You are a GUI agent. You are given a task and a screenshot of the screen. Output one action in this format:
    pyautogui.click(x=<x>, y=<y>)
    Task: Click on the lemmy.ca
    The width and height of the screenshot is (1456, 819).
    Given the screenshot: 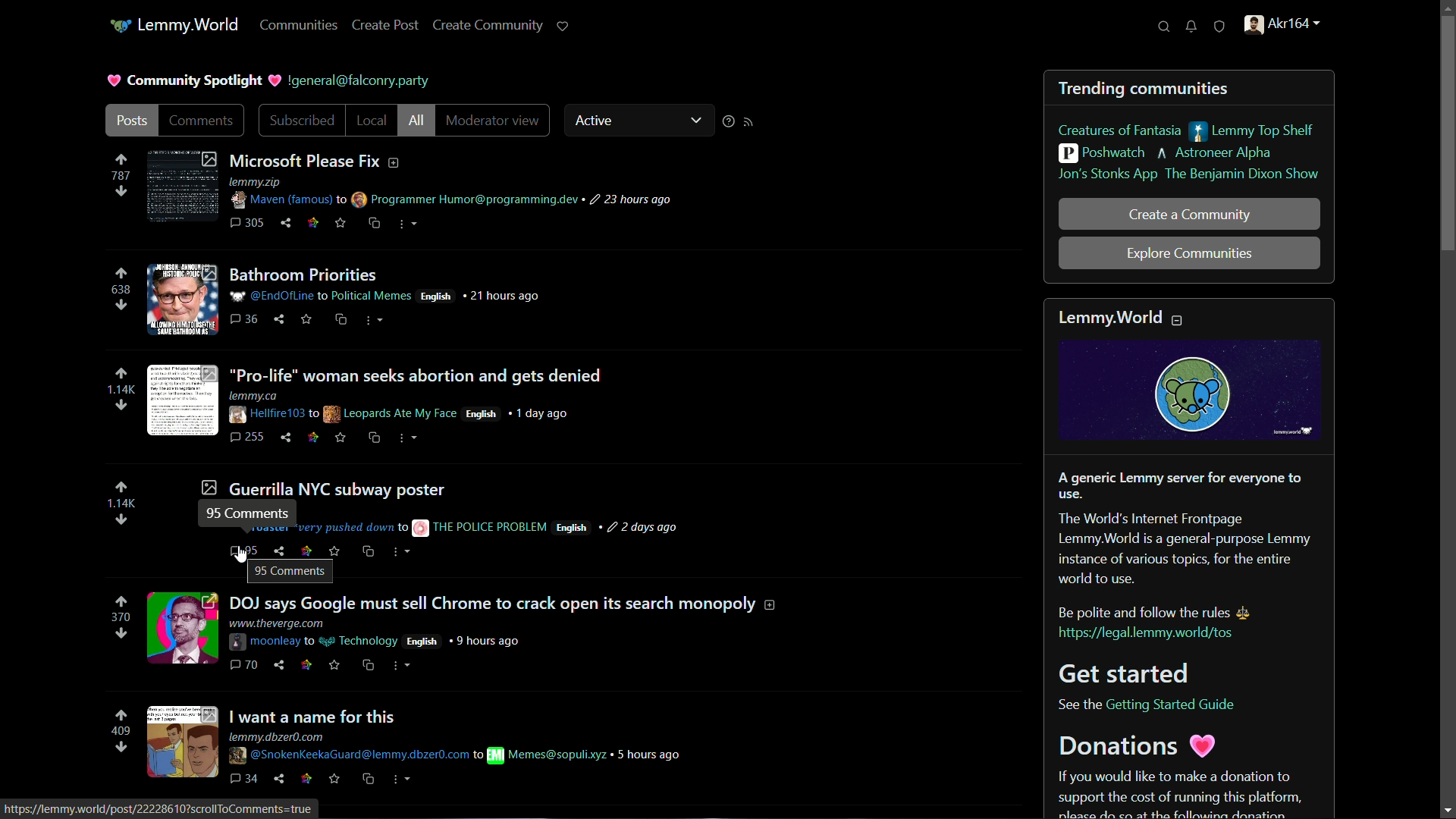 What is the action you would take?
    pyautogui.click(x=268, y=394)
    